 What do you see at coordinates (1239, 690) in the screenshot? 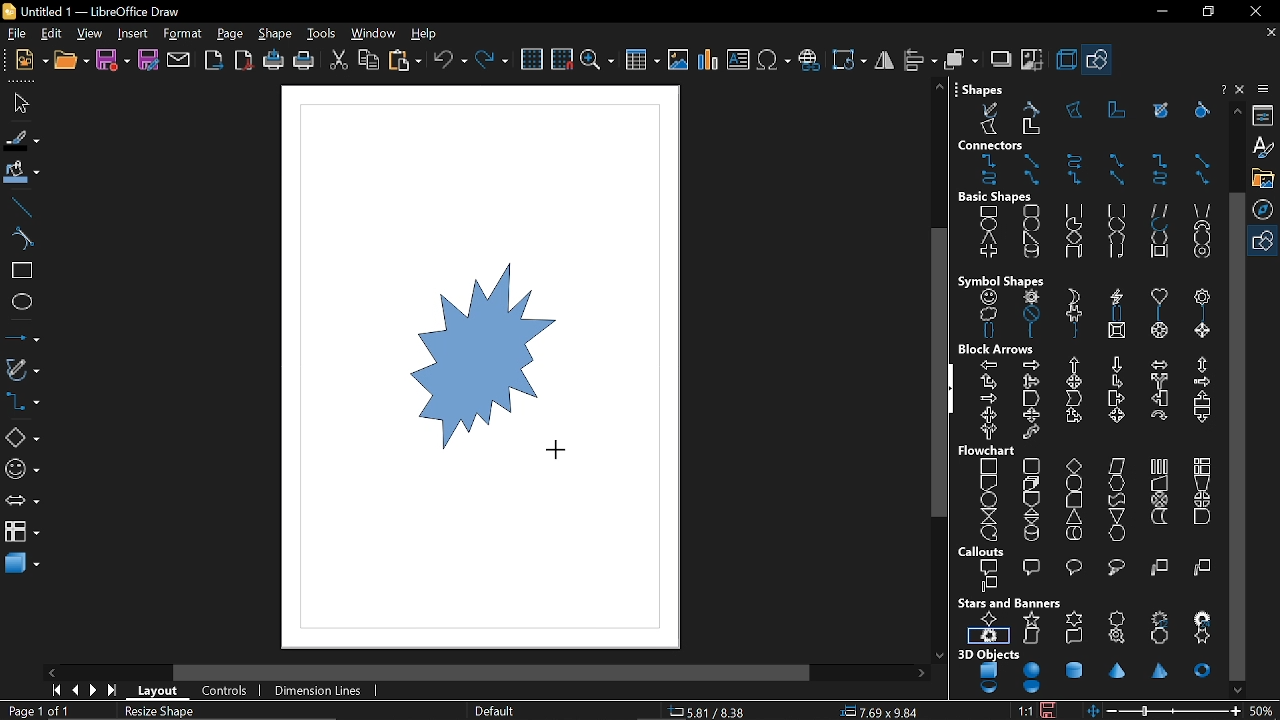
I see `Move down` at bounding box center [1239, 690].